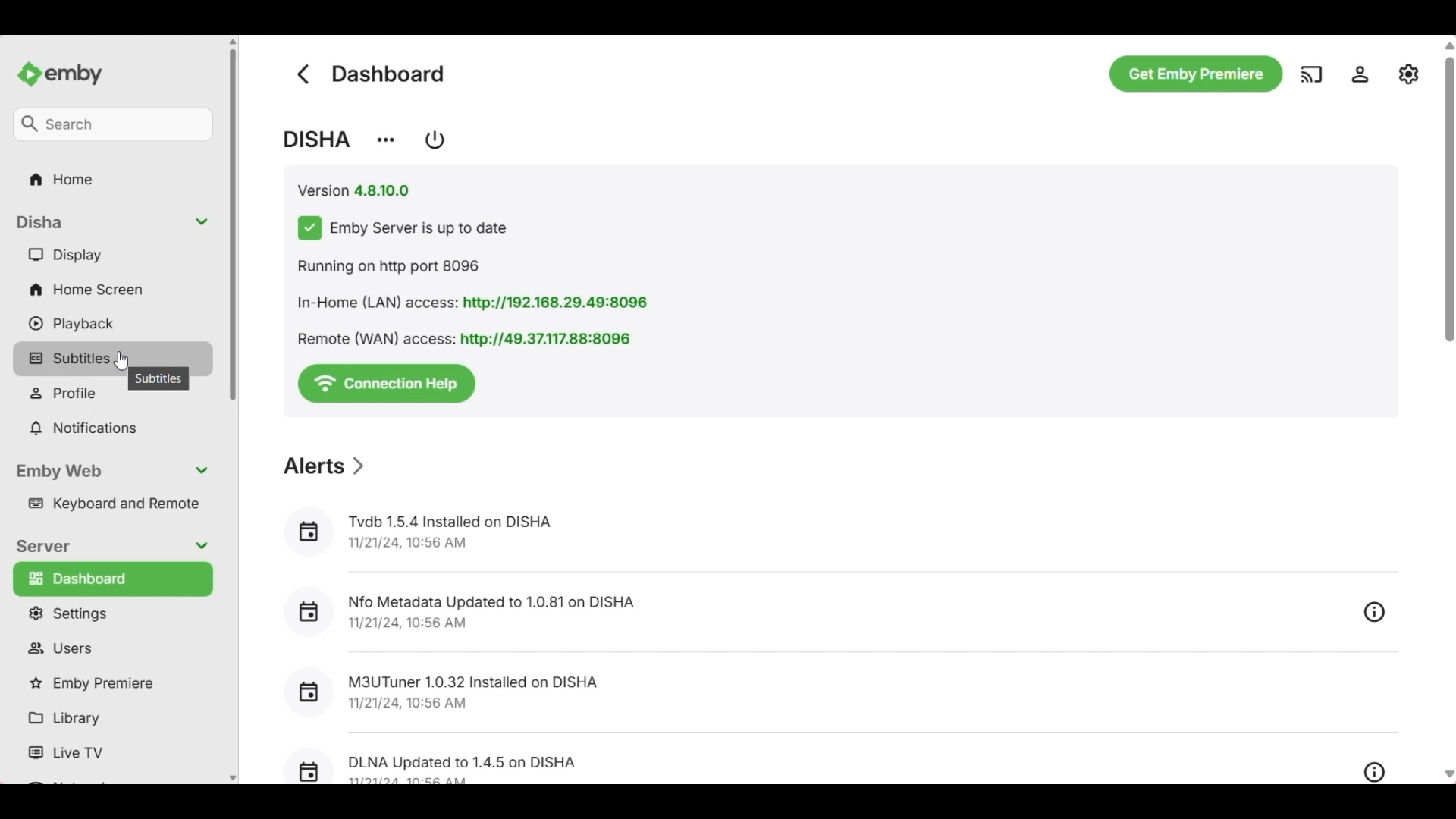 The image size is (1456, 819). Describe the element at coordinates (302, 74) in the screenshot. I see `Go back` at that location.